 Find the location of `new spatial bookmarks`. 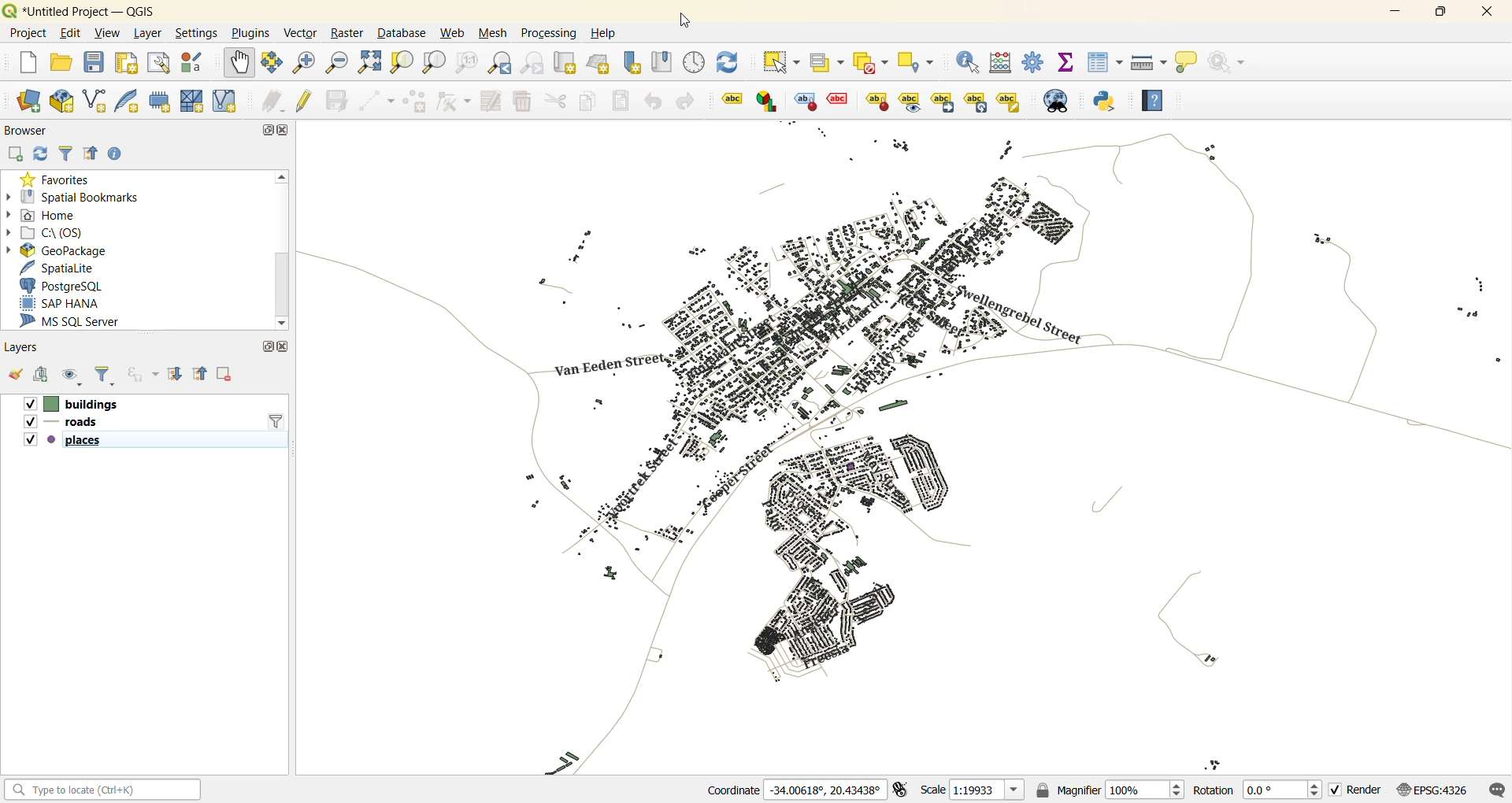

new spatial bookmarks is located at coordinates (628, 63).